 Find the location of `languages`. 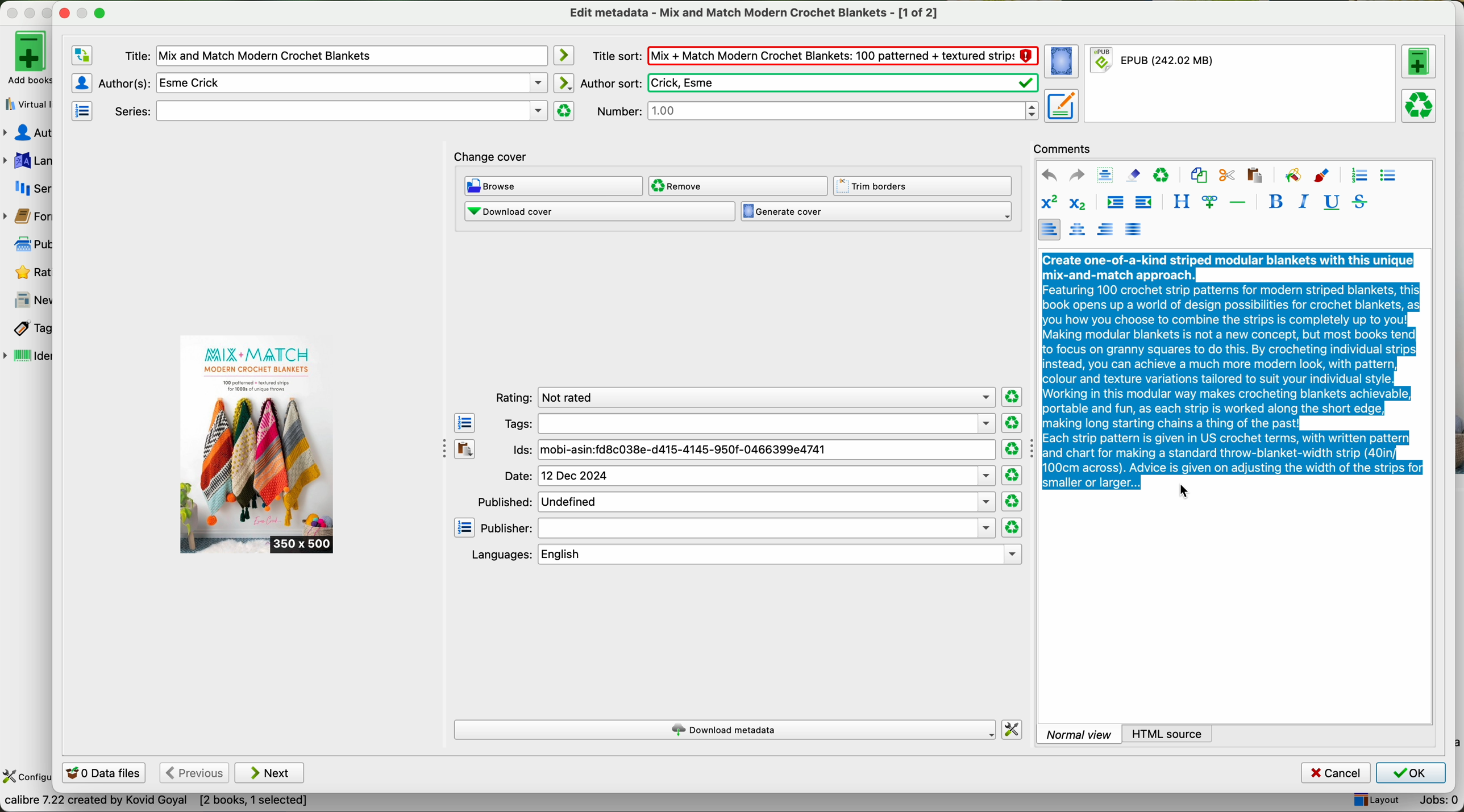

languages is located at coordinates (744, 555).